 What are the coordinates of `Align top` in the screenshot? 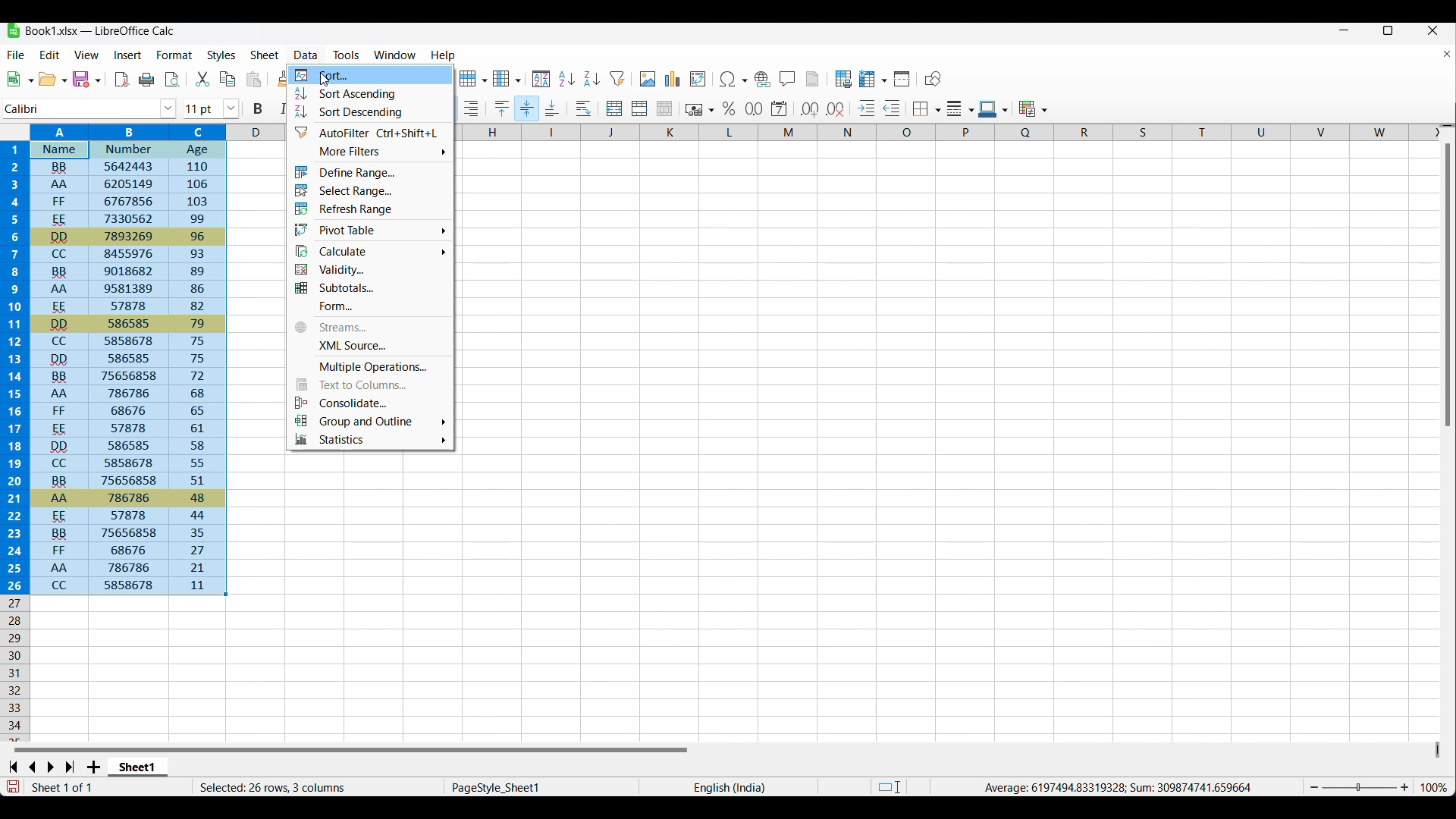 It's located at (502, 109).